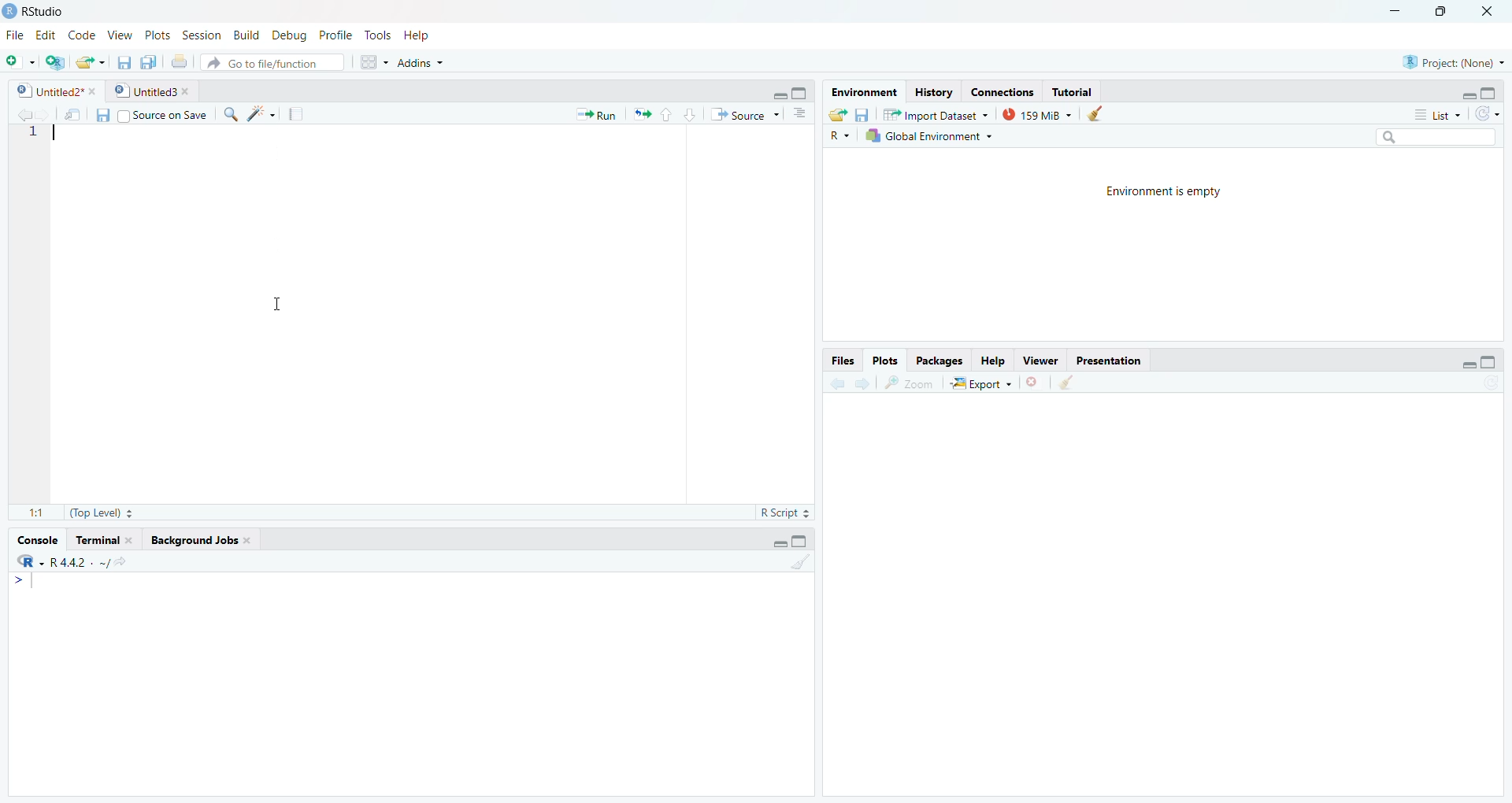  I want to click on clean, so click(1093, 113).